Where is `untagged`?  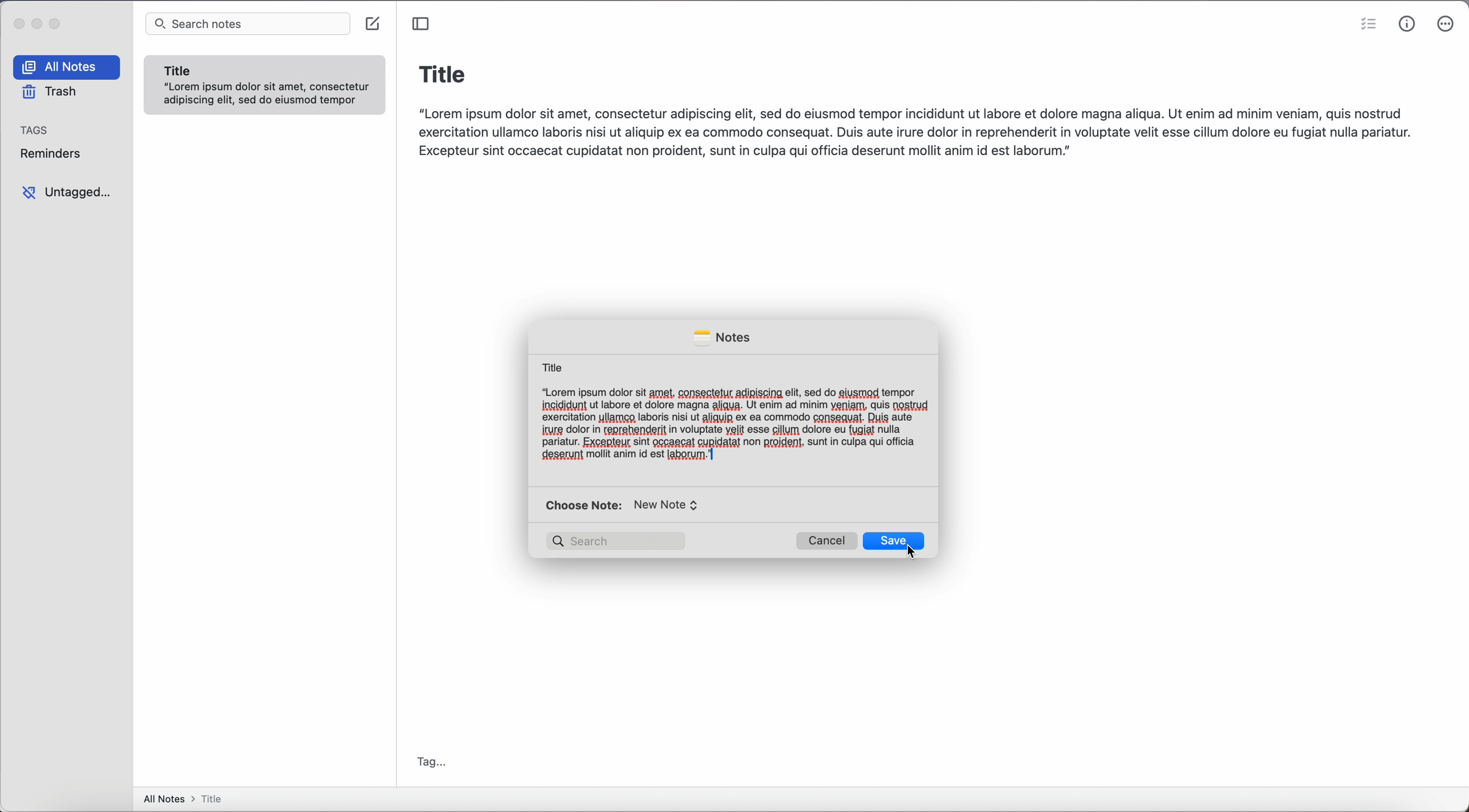 untagged is located at coordinates (67, 193).